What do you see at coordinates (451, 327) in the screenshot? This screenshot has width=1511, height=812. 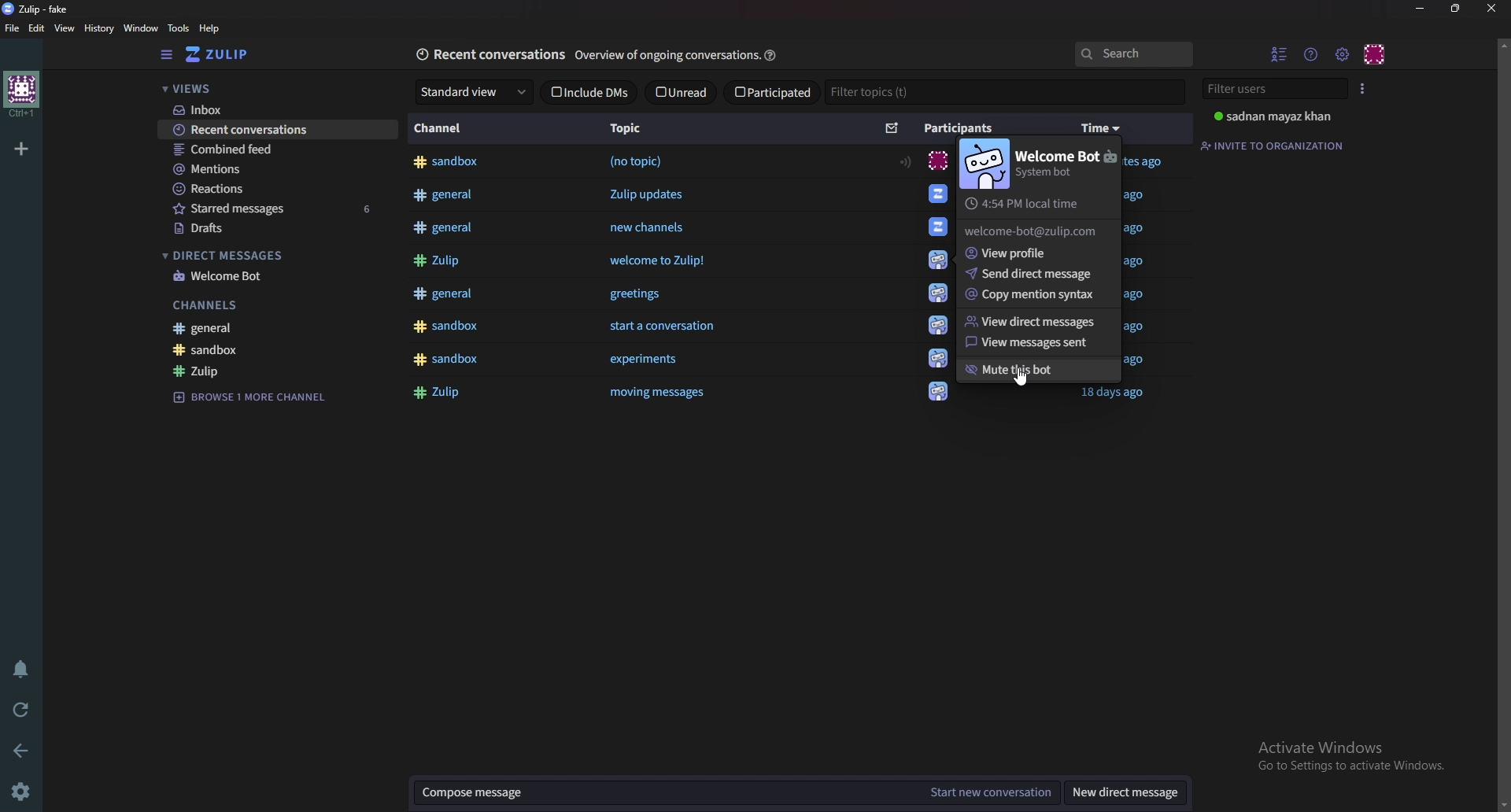 I see `#sandbox` at bounding box center [451, 327].